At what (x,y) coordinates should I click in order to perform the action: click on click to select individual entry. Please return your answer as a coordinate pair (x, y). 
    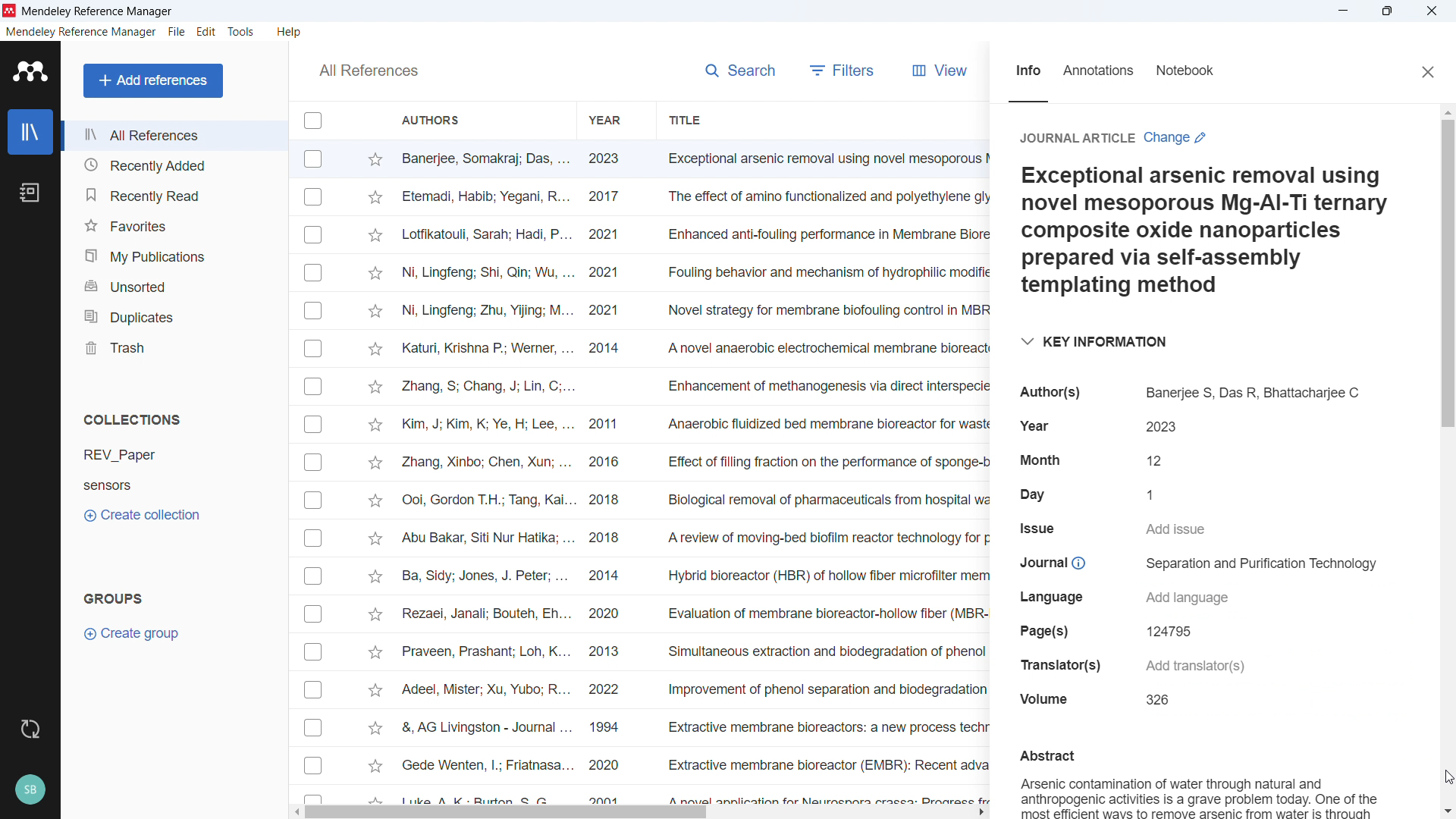
    Looking at the image, I should click on (315, 500).